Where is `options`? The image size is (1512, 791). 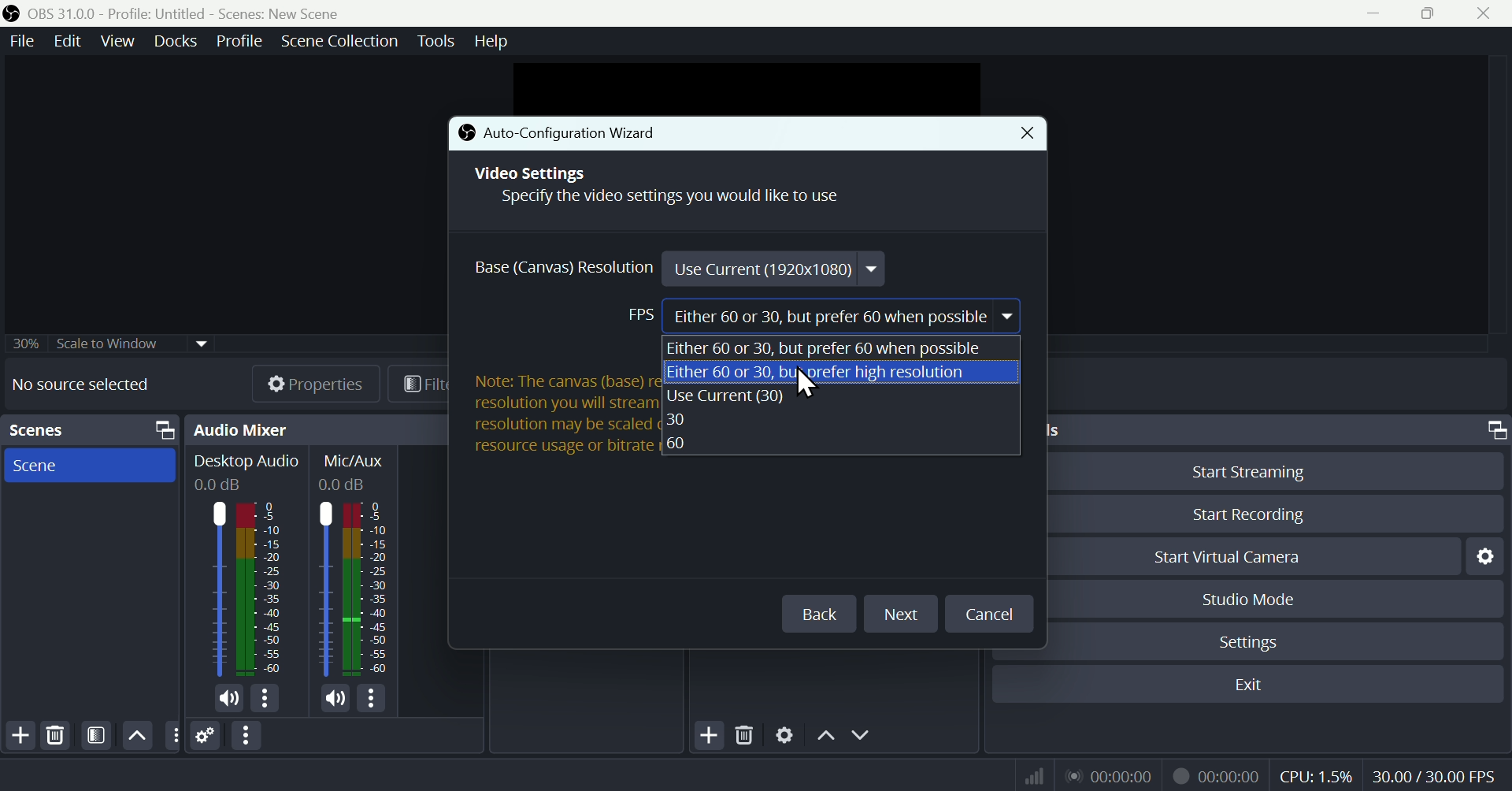 options is located at coordinates (264, 698).